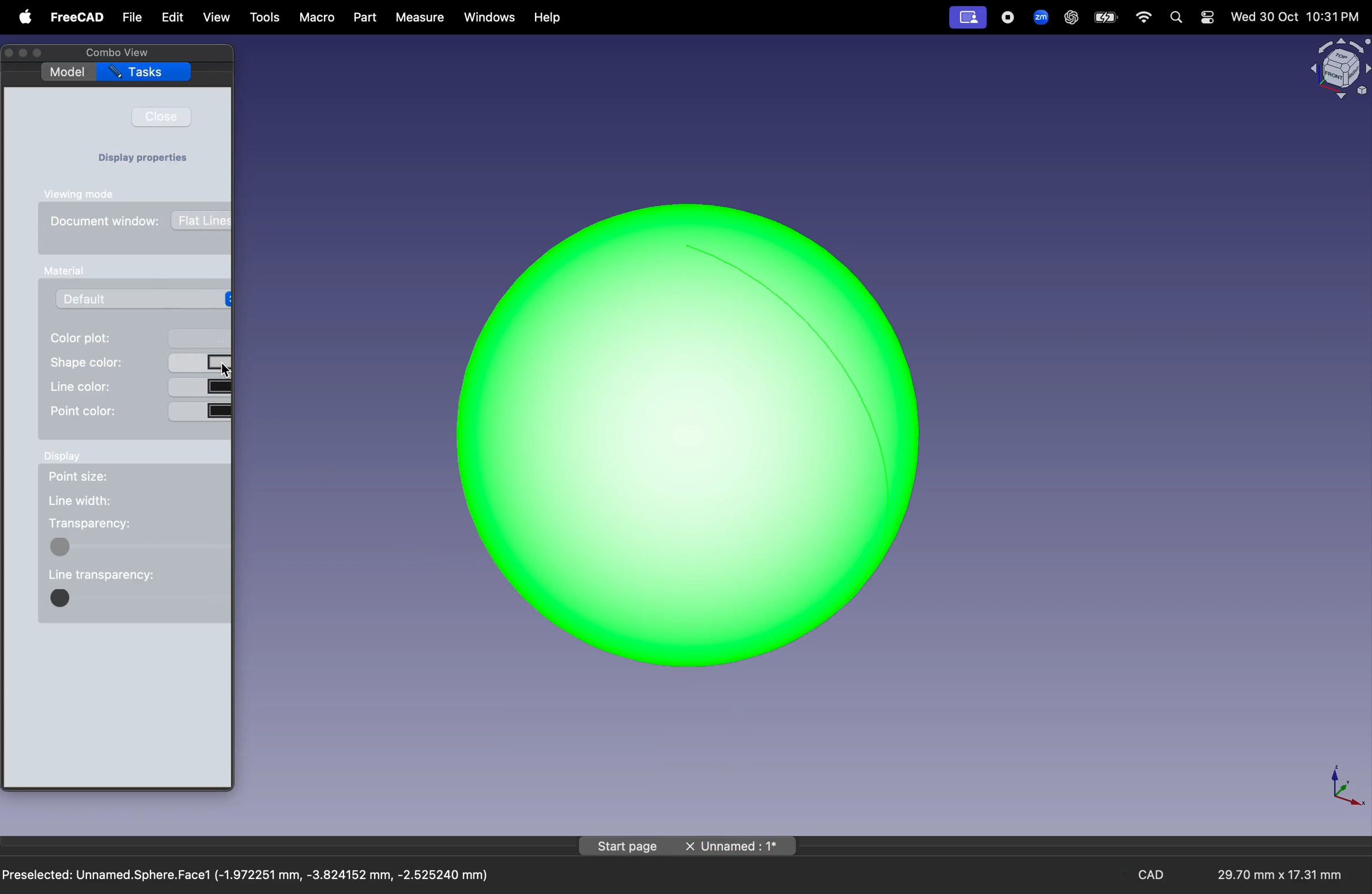  I want to click on chatgpt, so click(1071, 17).